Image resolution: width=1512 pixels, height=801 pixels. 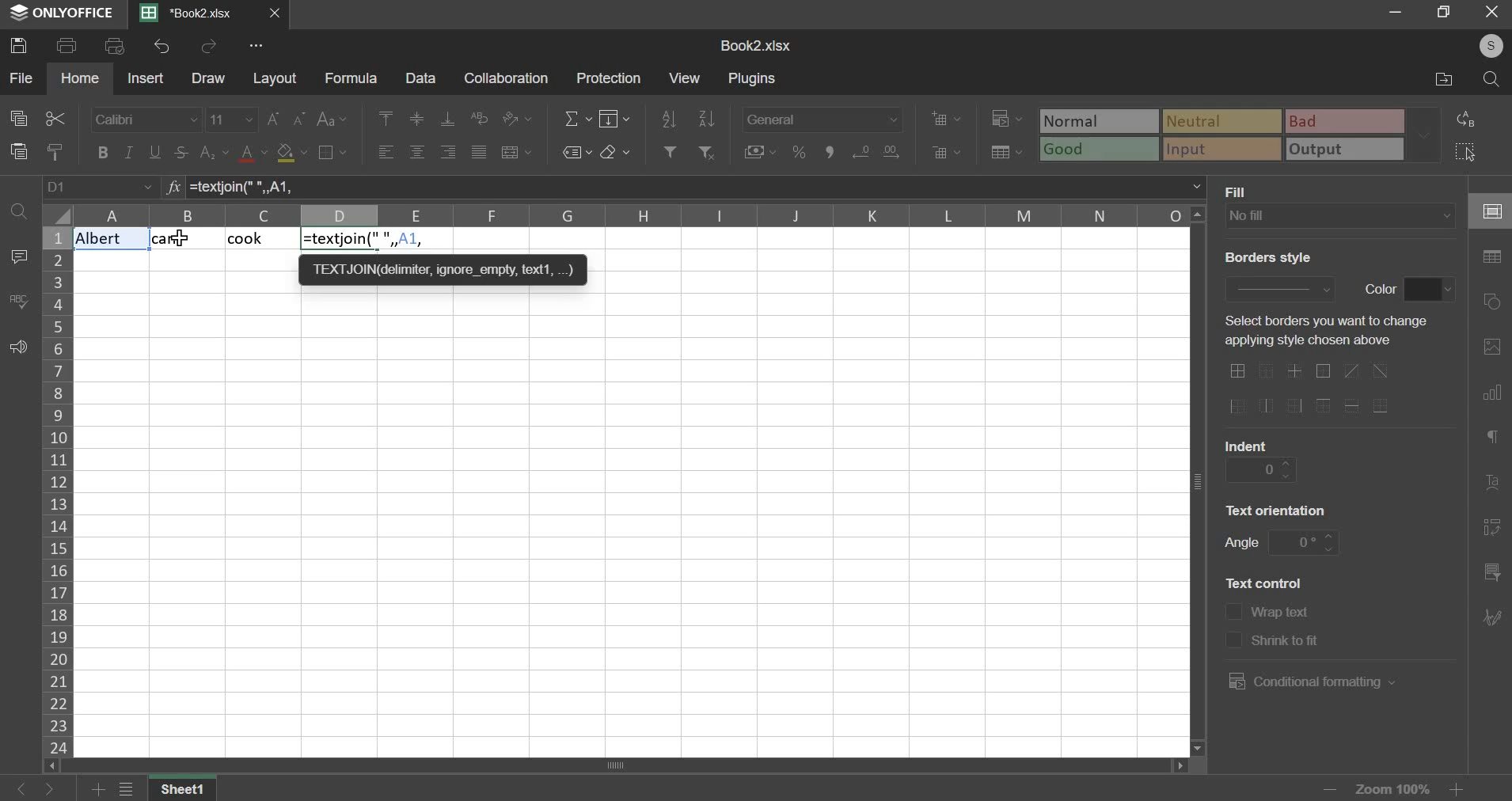 What do you see at coordinates (135, 790) in the screenshot?
I see `view all sheets` at bounding box center [135, 790].